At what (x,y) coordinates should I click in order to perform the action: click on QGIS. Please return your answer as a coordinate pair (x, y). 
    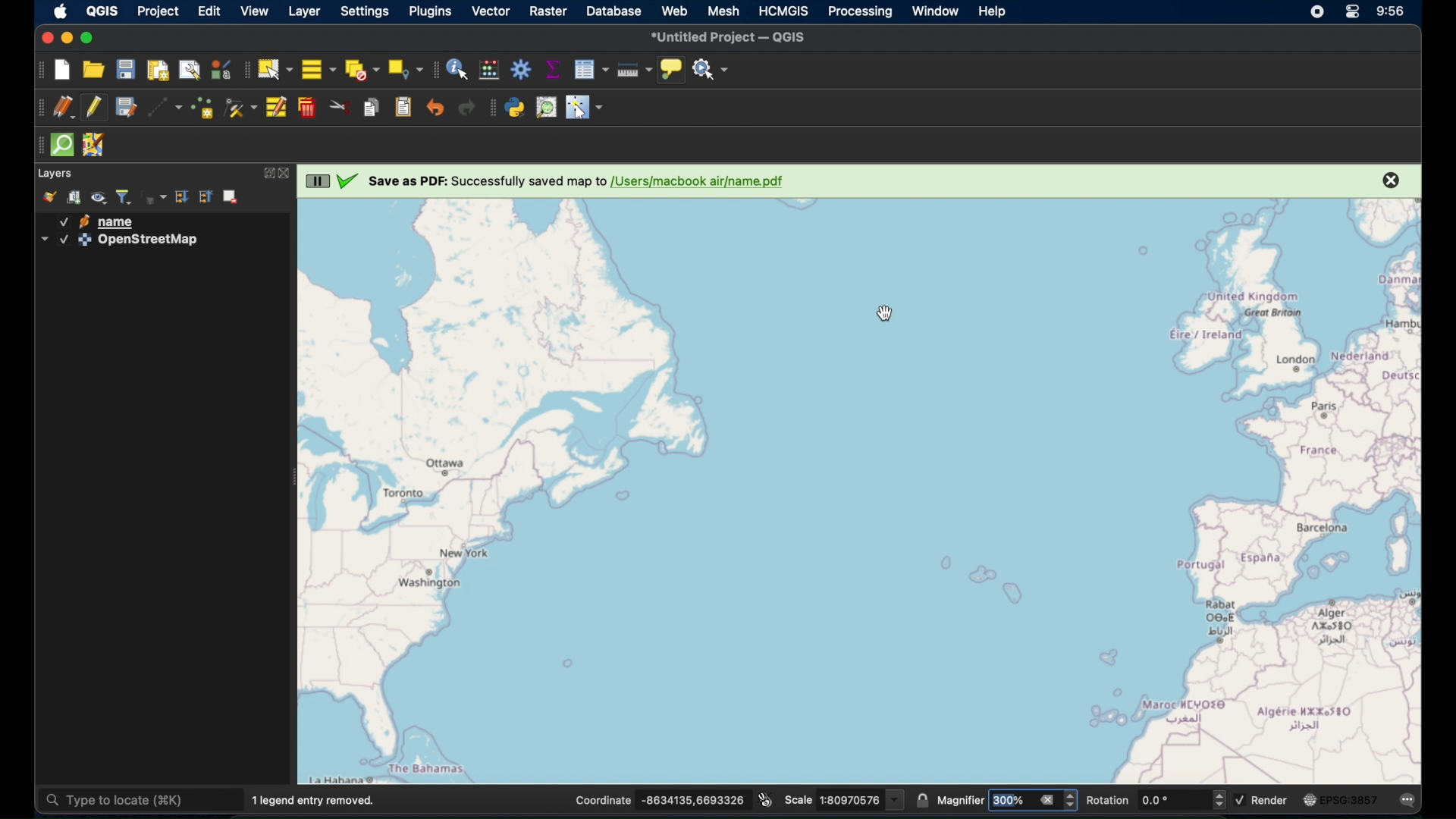
    Looking at the image, I should click on (102, 11).